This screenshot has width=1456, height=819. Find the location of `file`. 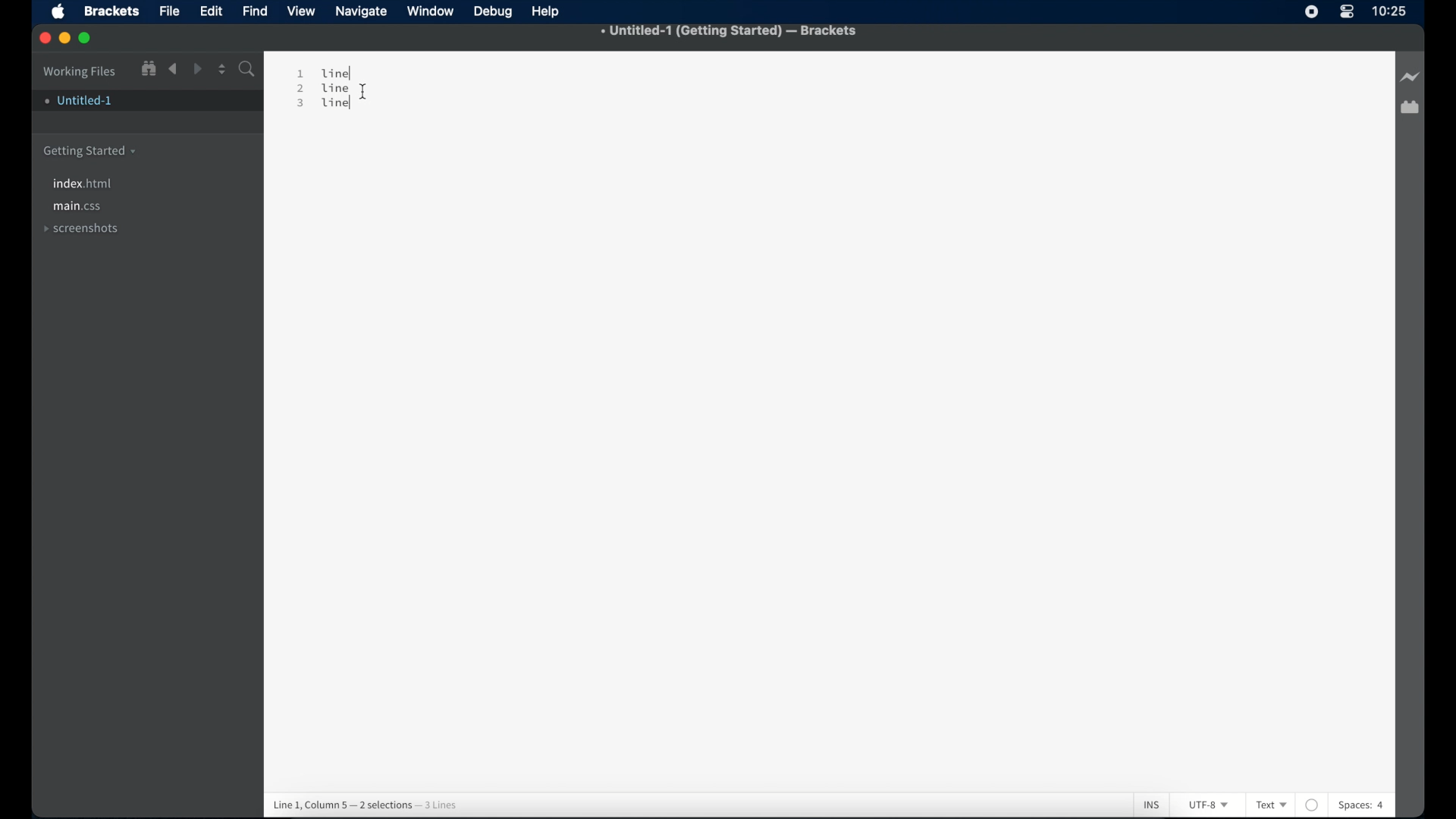

file is located at coordinates (170, 11).